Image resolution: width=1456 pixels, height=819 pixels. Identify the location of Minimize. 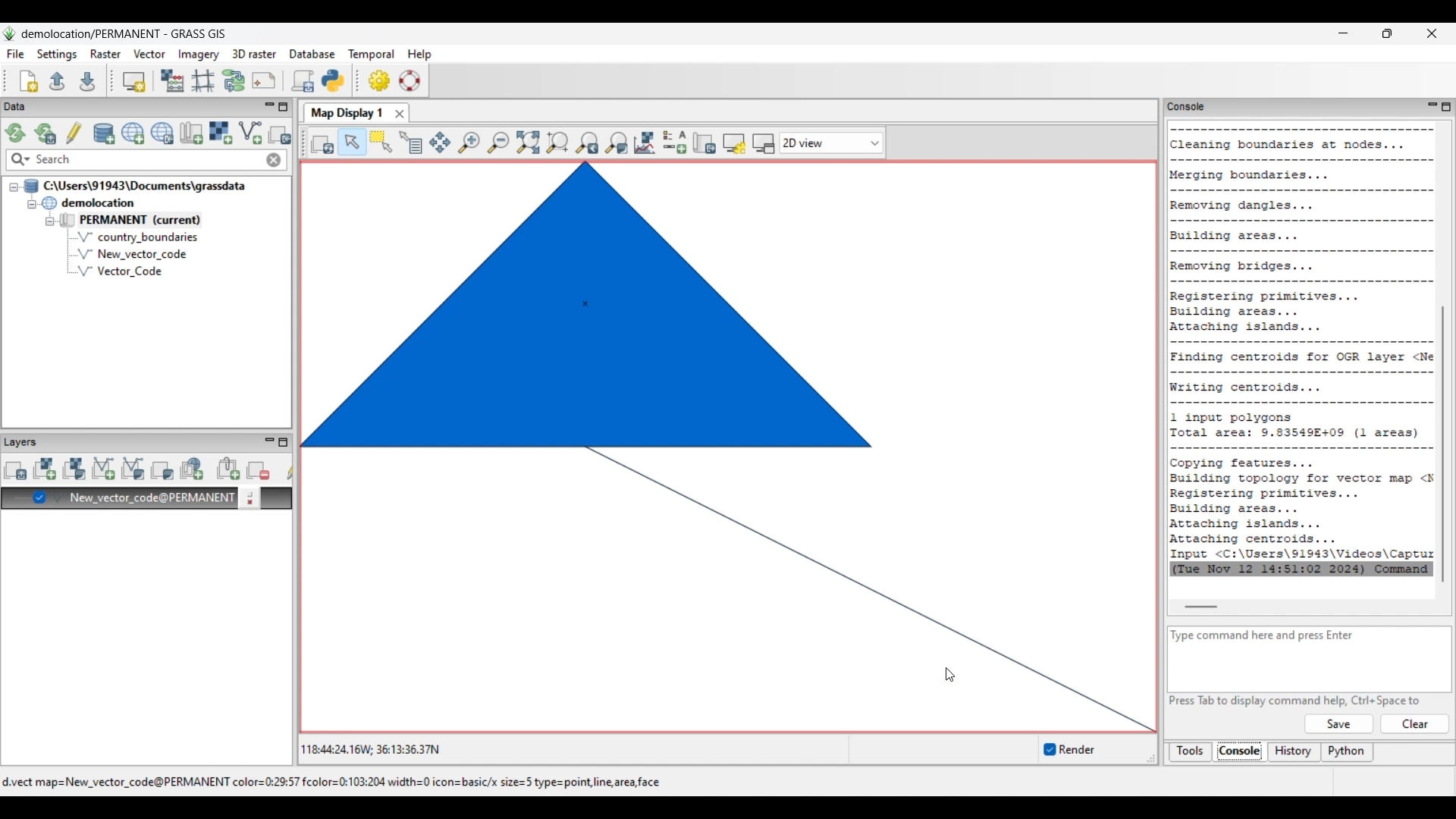
(1343, 33).